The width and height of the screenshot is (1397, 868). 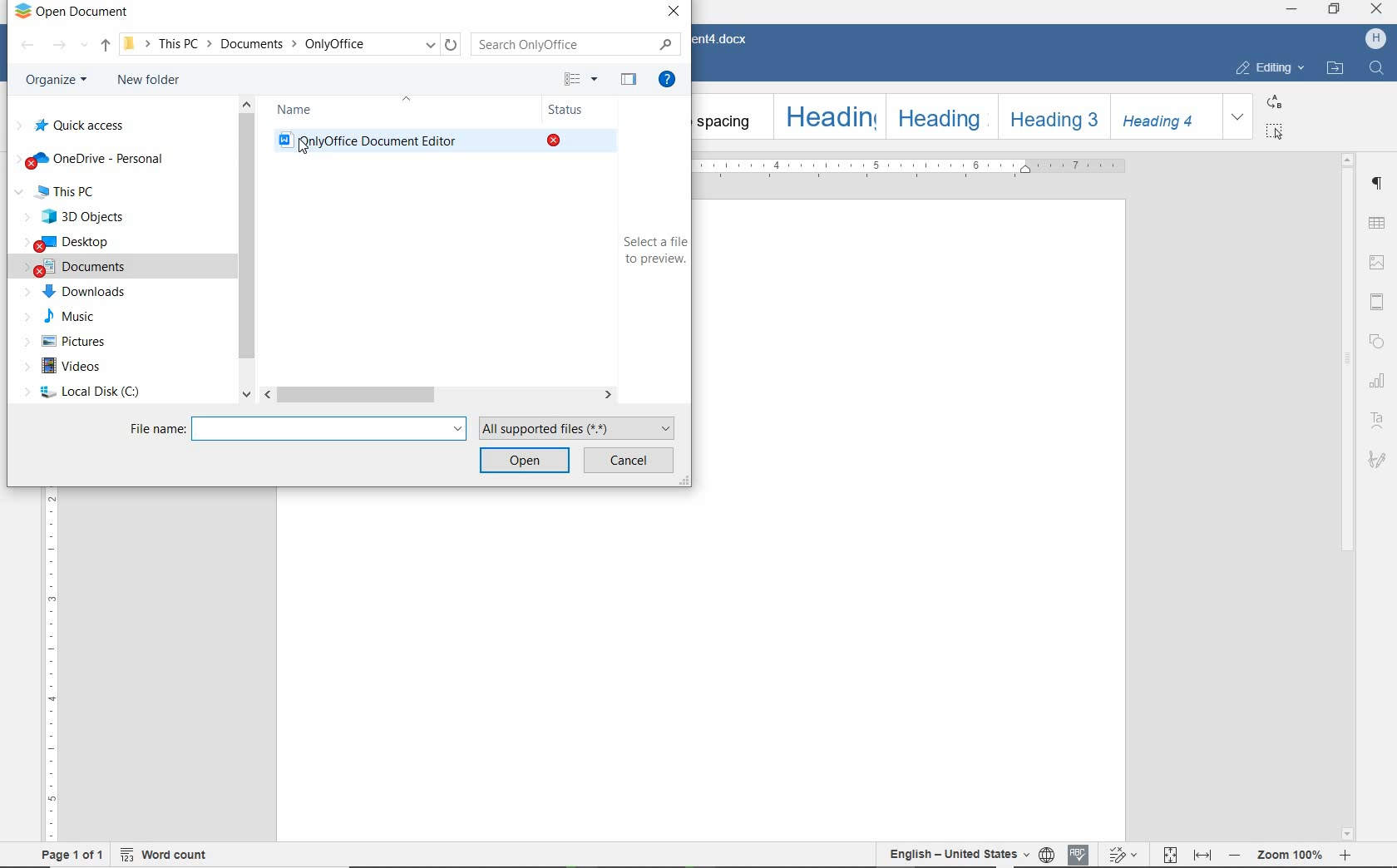 What do you see at coordinates (451, 144) in the screenshot?
I see `Only Office Document Editor(existing document)` at bounding box center [451, 144].